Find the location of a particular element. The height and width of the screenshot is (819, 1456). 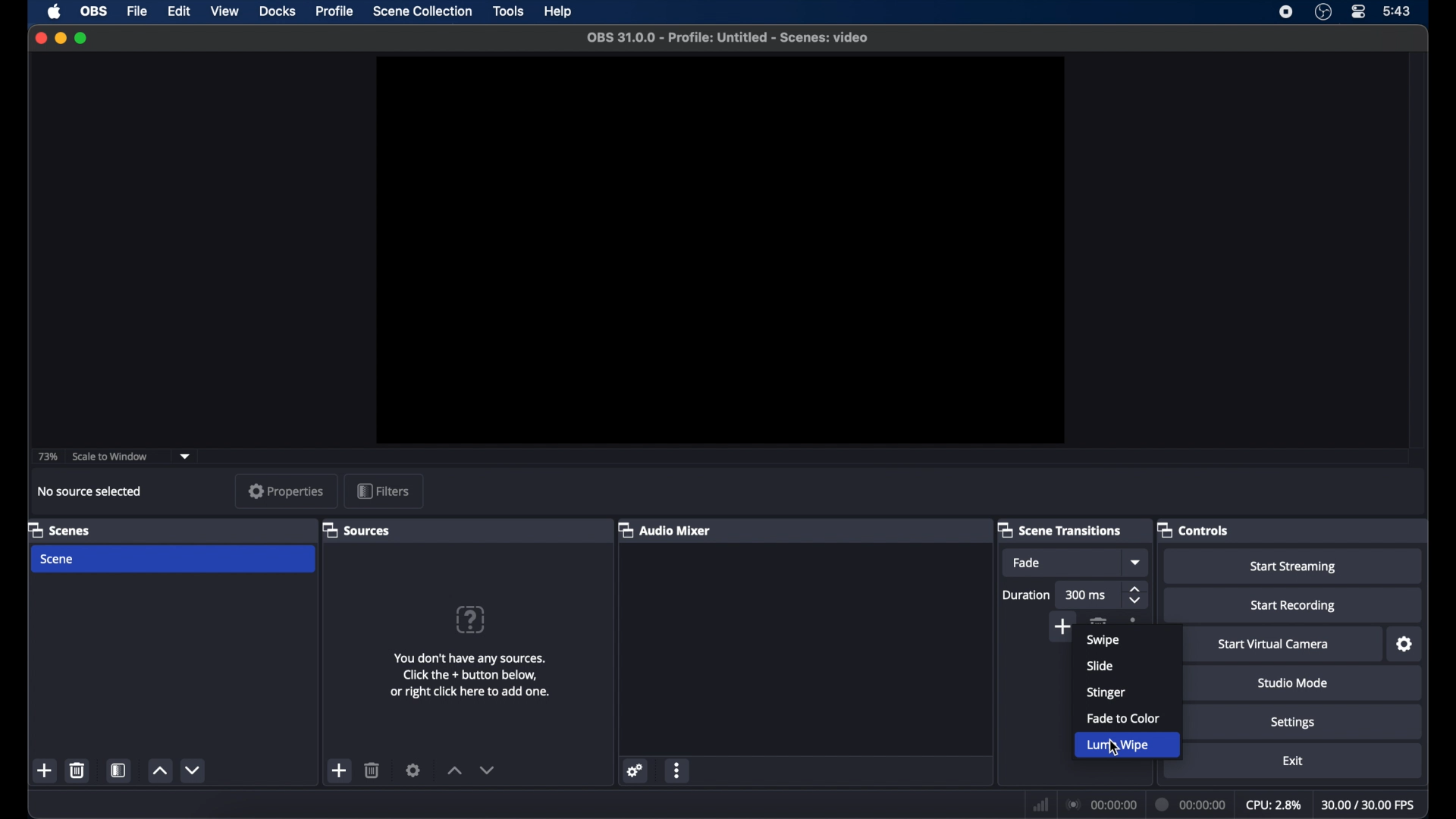

add is located at coordinates (45, 770).